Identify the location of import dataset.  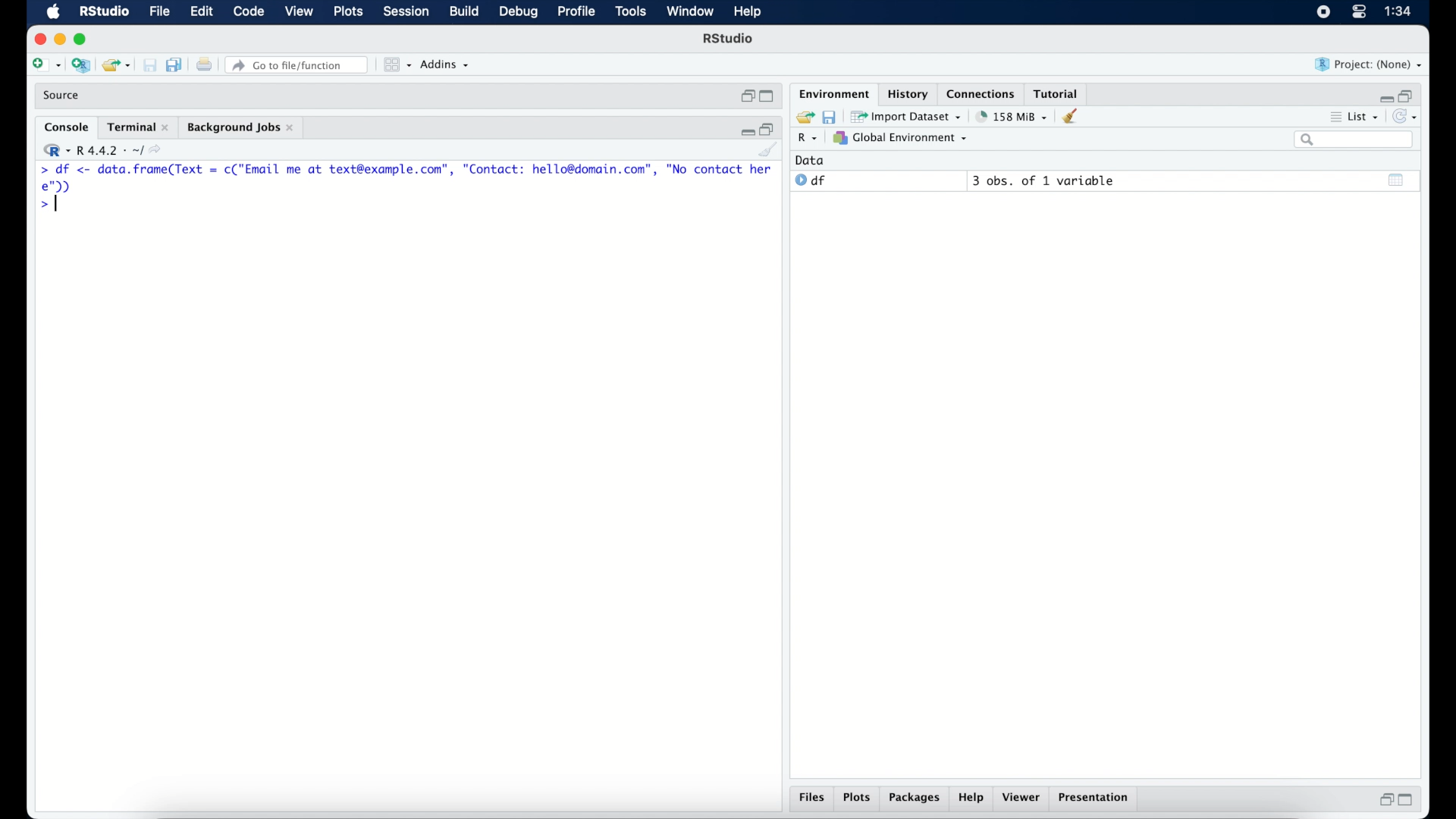
(908, 117).